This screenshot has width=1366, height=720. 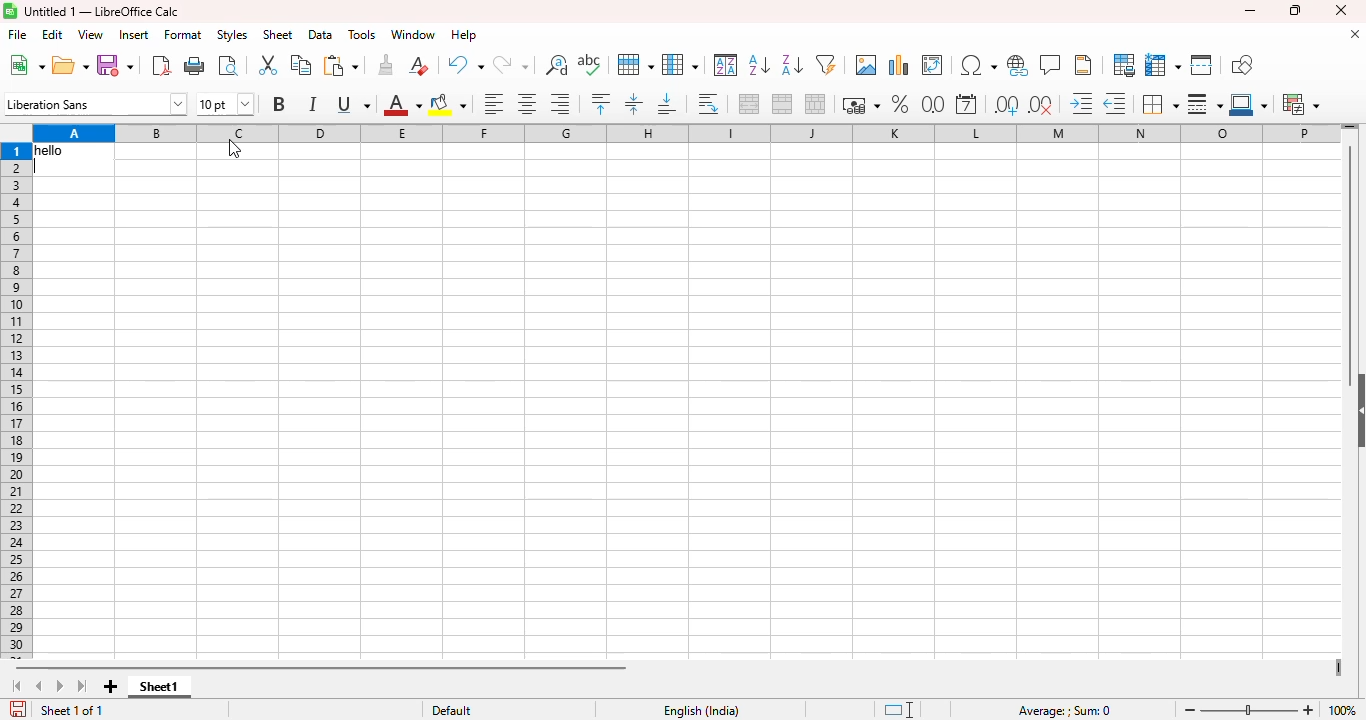 What do you see at coordinates (589, 64) in the screenshot?
I see `spelling` at bounding box center [589, 64].